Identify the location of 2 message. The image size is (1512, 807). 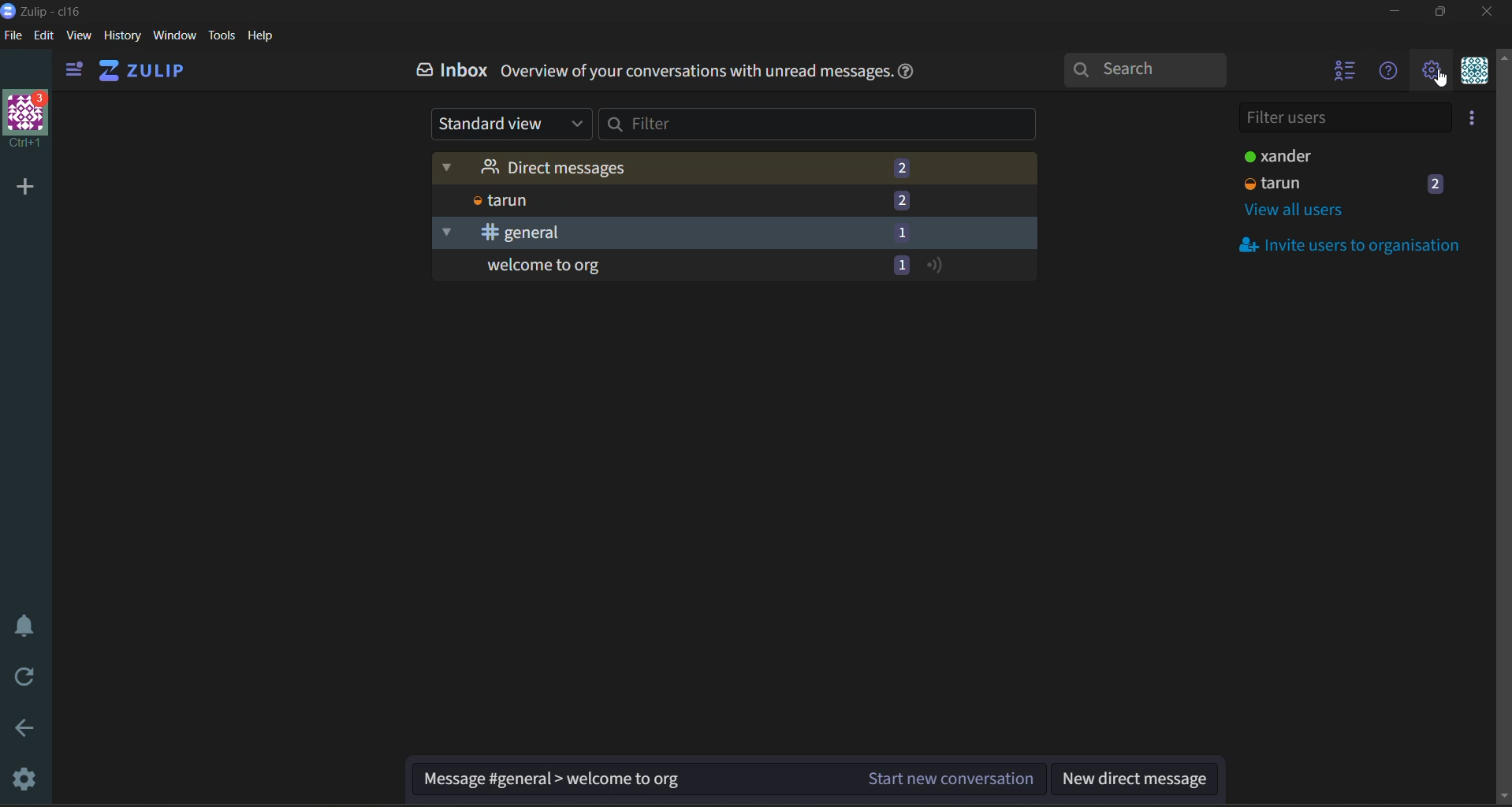
(1435, 184).